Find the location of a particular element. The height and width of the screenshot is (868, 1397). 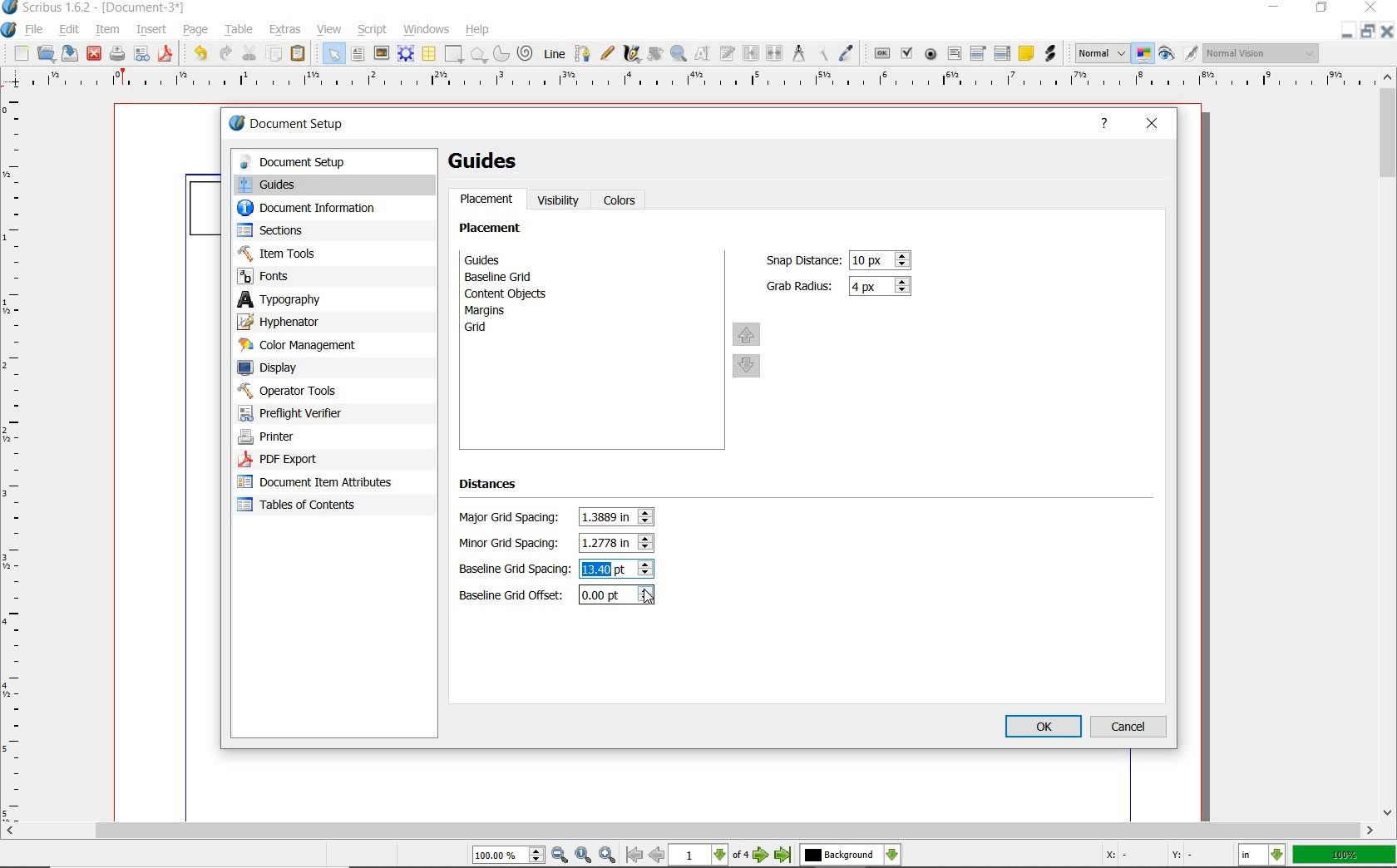

go to last page is located at coordinates (783, 856).